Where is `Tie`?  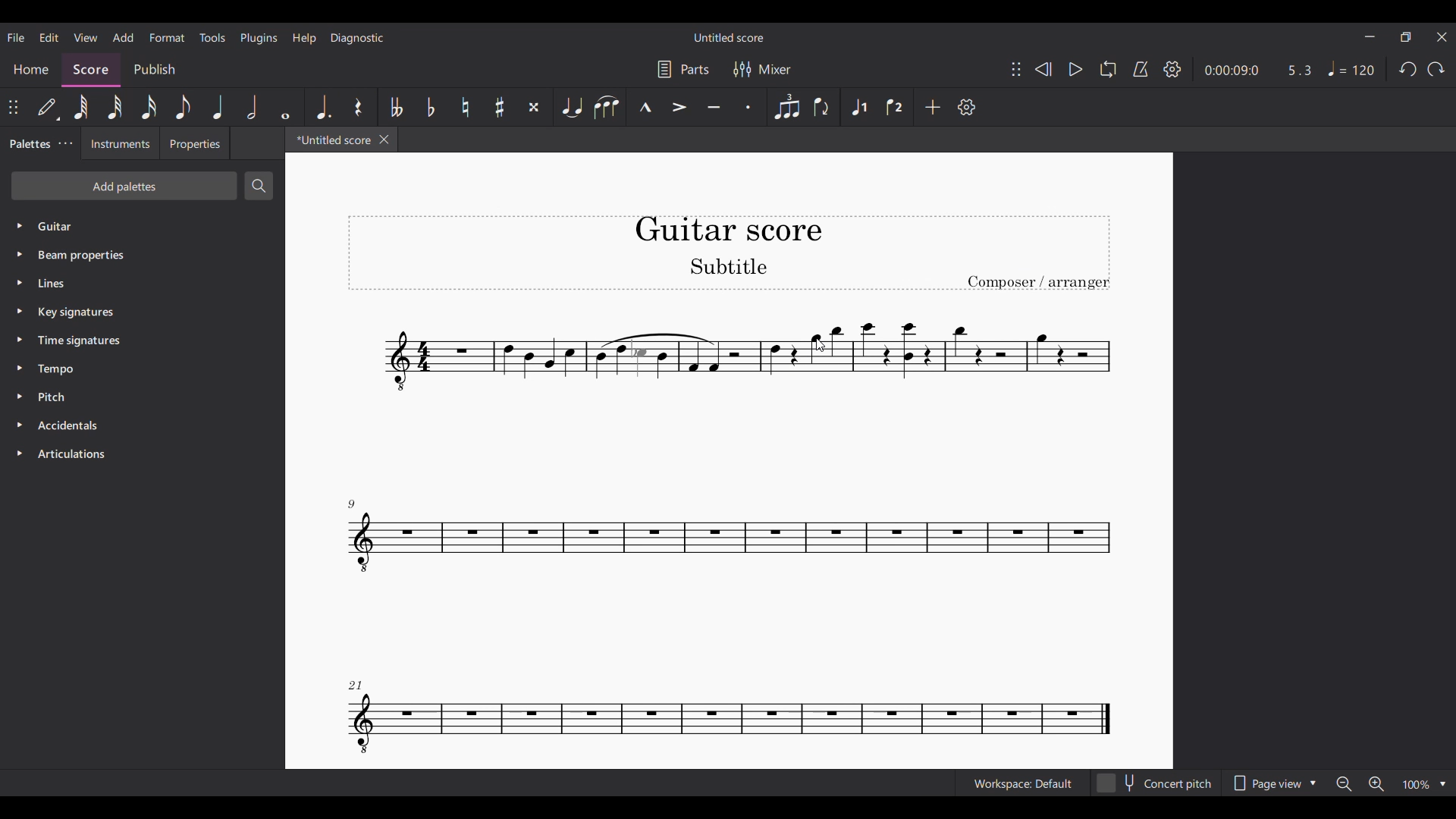
Tie is located at coordinates (570, 107).